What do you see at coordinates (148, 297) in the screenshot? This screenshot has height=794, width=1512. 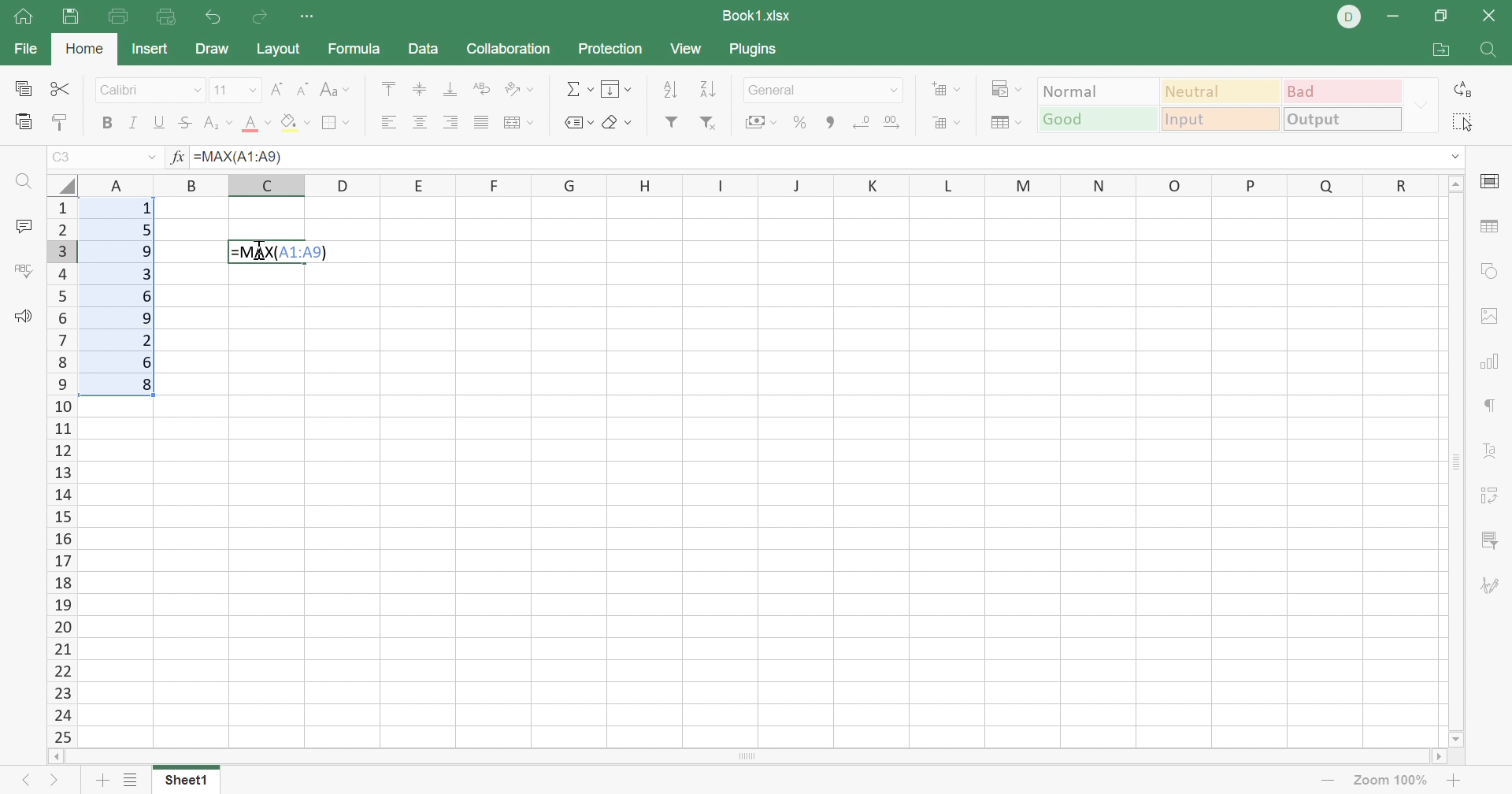 I see `6` at bounding box center [148, 297].